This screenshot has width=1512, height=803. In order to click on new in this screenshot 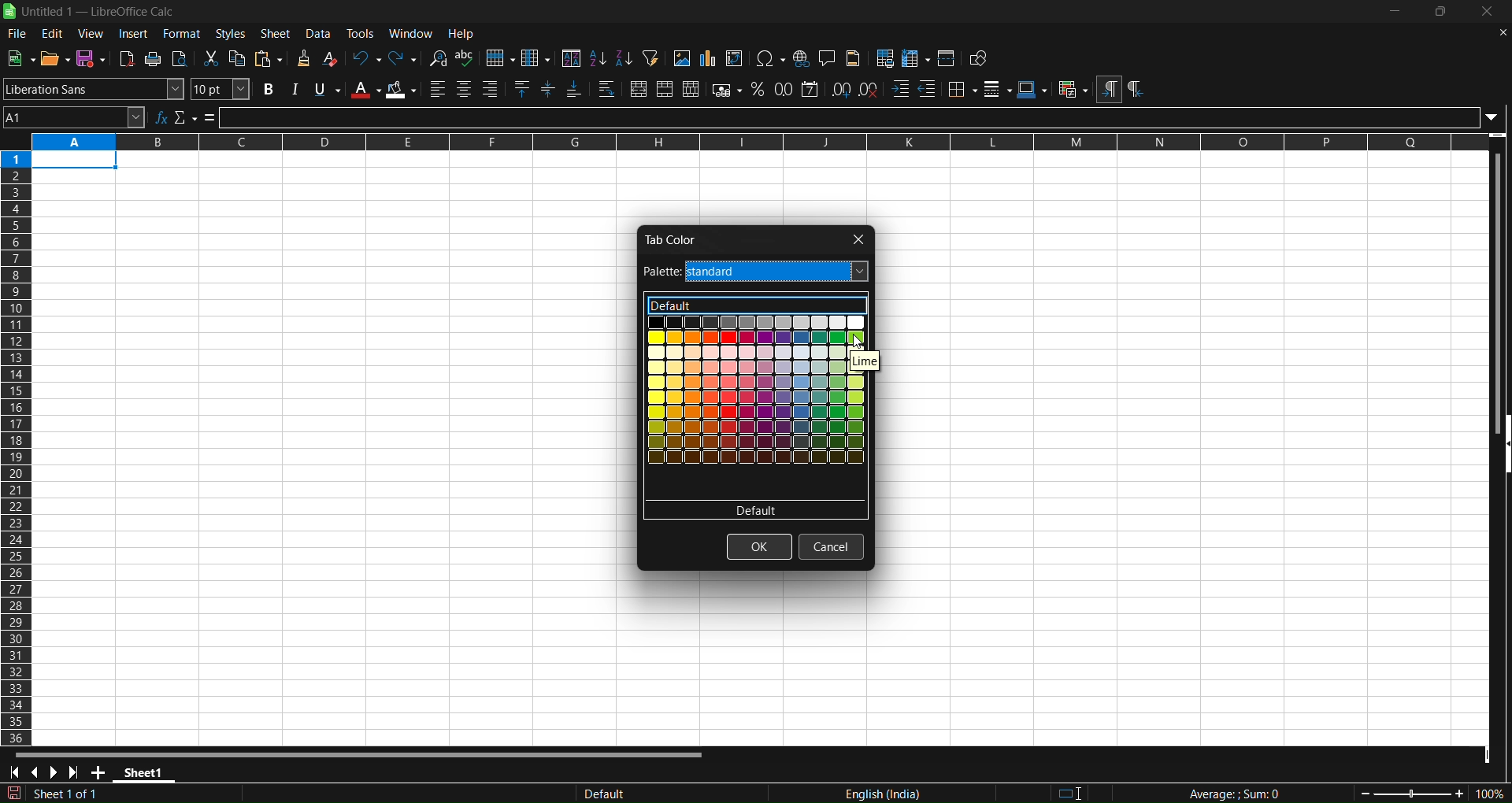, I will do `click(20, 57)`.